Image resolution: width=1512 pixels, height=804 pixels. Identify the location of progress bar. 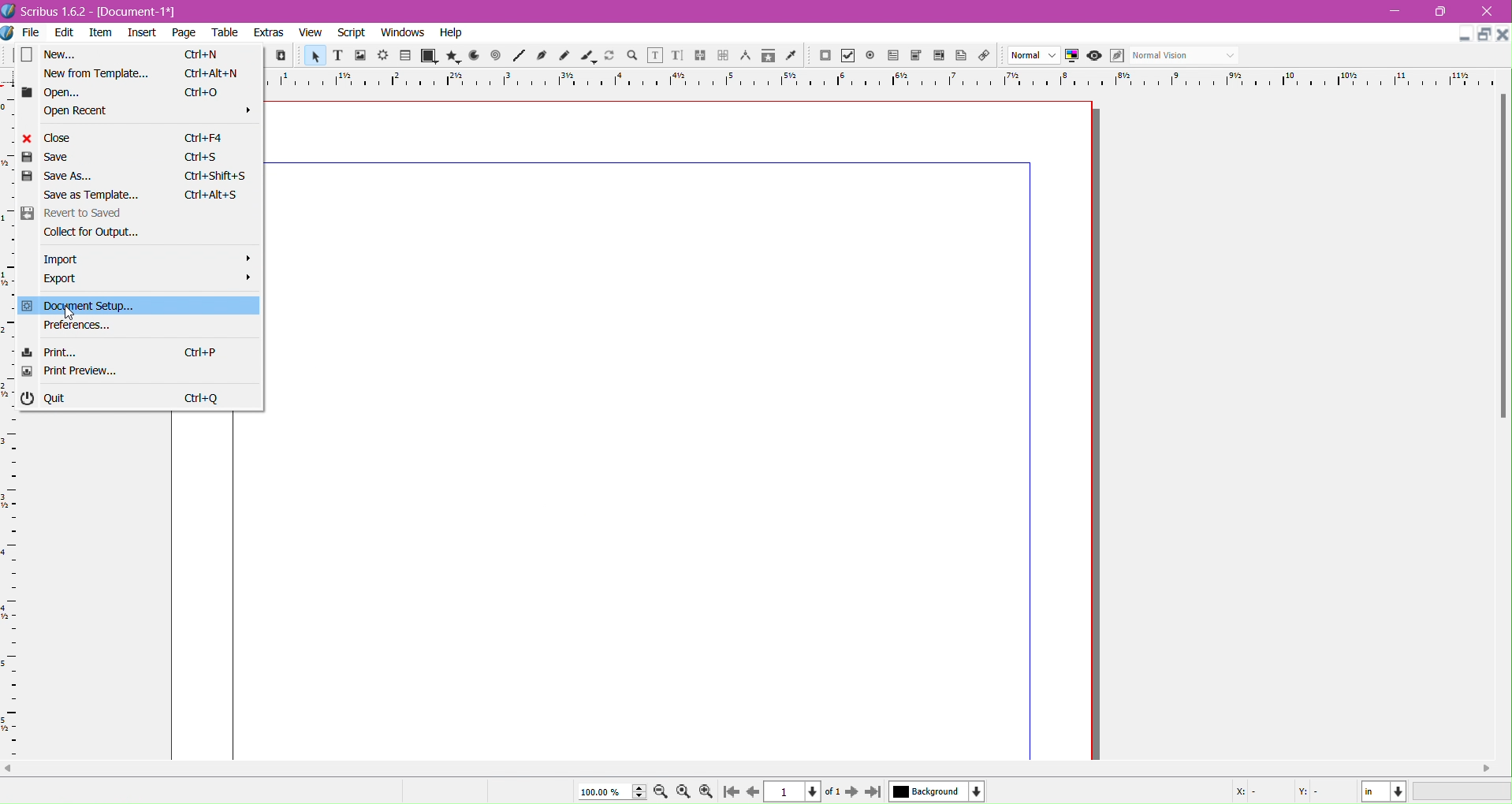
(1463, 792).